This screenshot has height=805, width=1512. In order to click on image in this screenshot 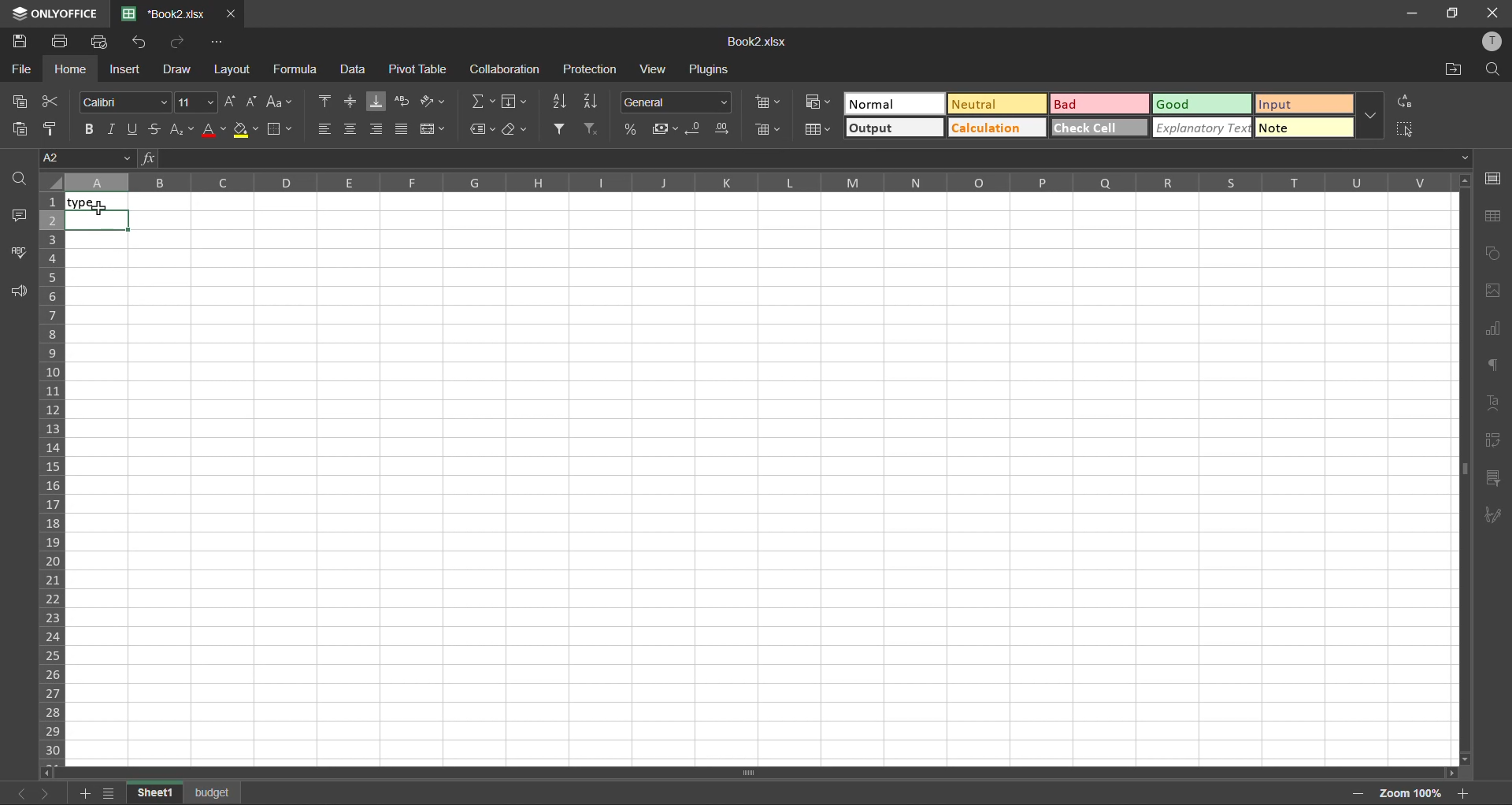, I will do `click(1497, 291)`.